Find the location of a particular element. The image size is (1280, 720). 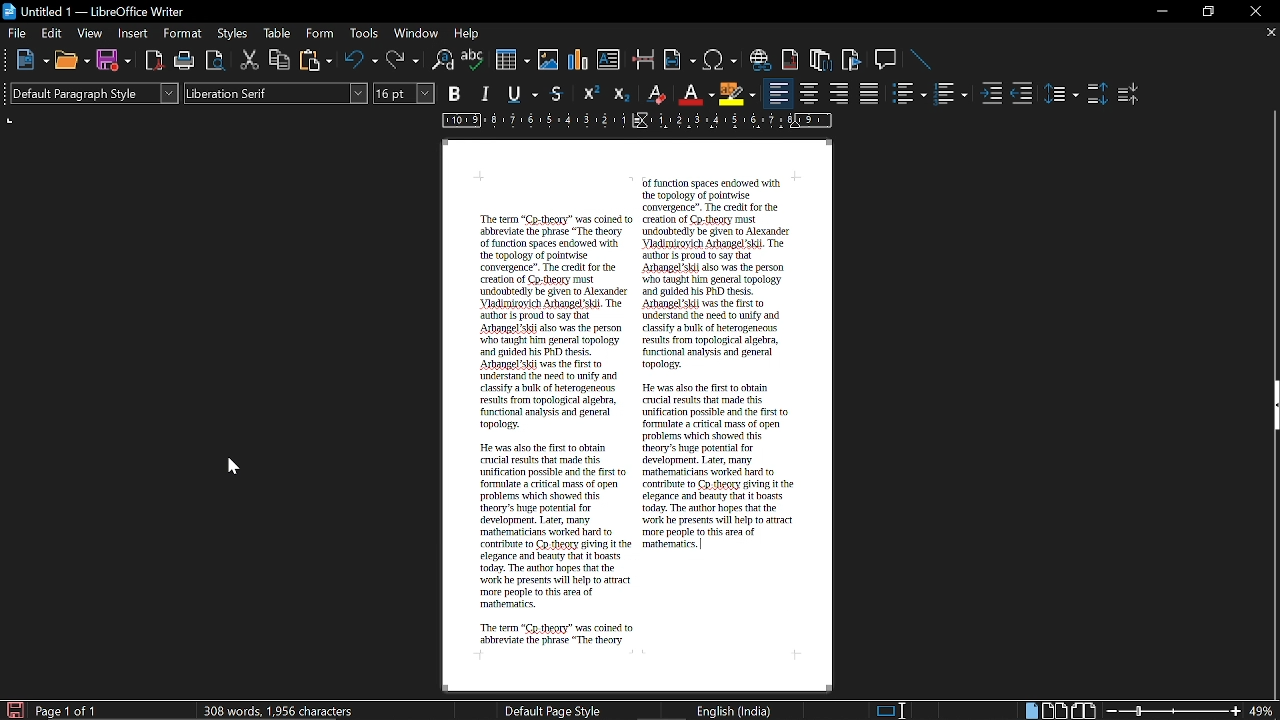

Text style is located at coordinates (276, 92).